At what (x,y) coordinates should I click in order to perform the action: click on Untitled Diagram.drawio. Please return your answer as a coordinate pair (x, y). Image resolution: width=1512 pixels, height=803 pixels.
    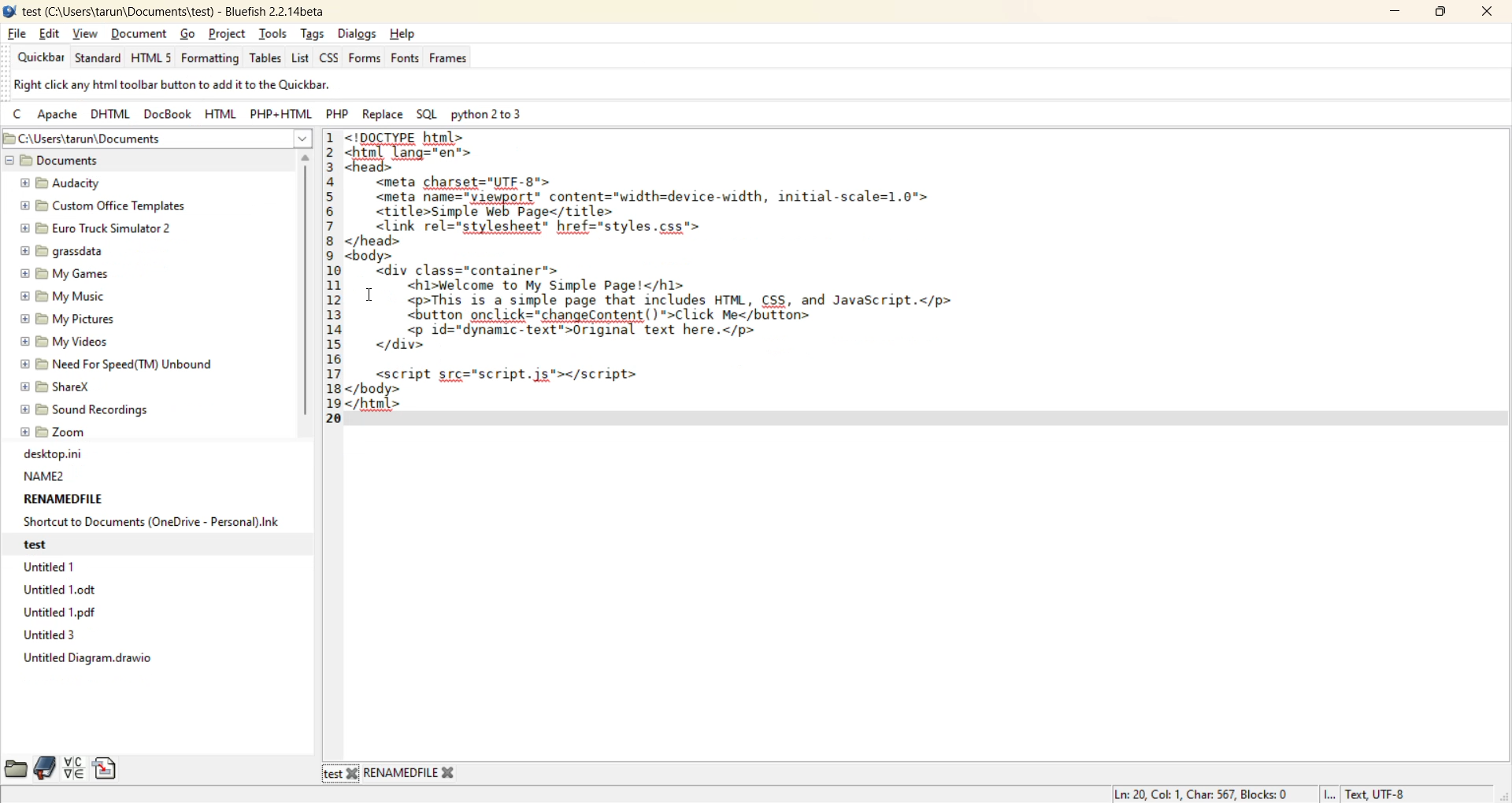
    Looking at the image, I should click on (83, 658).